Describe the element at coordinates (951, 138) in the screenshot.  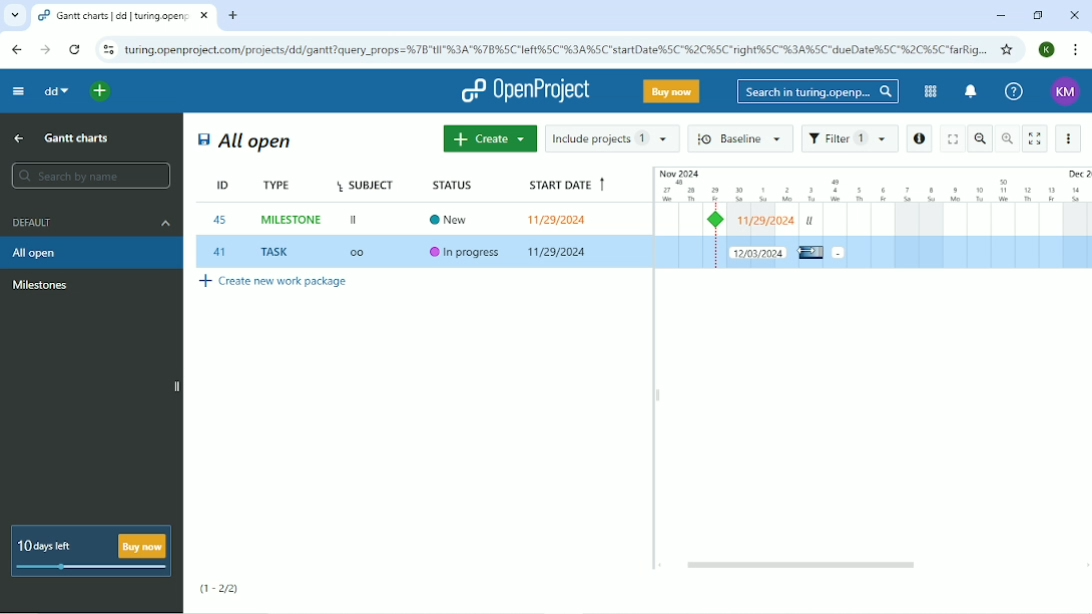
I see `Fullscreen` at that location.